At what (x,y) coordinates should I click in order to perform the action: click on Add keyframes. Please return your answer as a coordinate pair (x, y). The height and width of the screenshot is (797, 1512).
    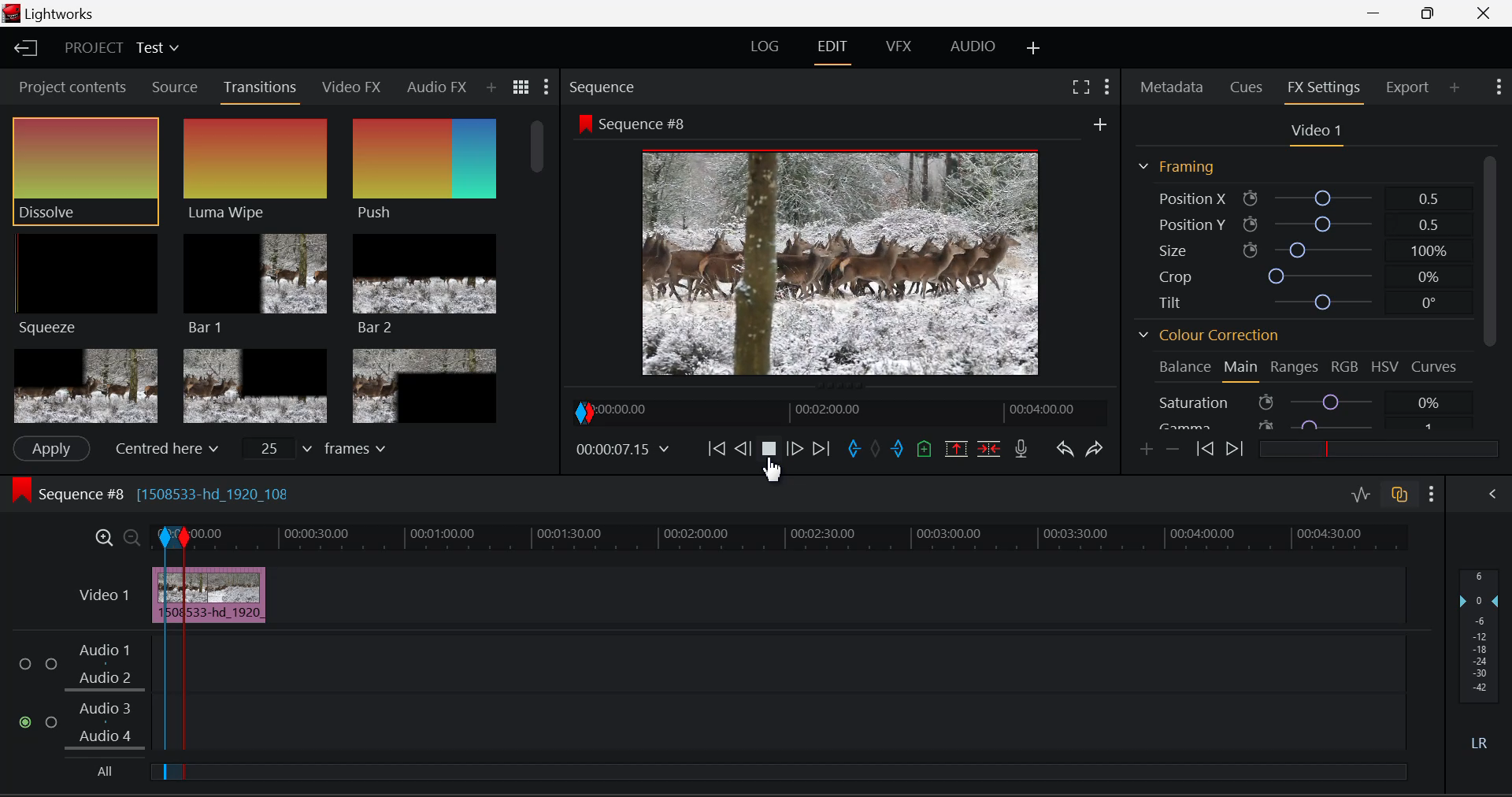
    Looking at the image, I should click on (1147, 450).